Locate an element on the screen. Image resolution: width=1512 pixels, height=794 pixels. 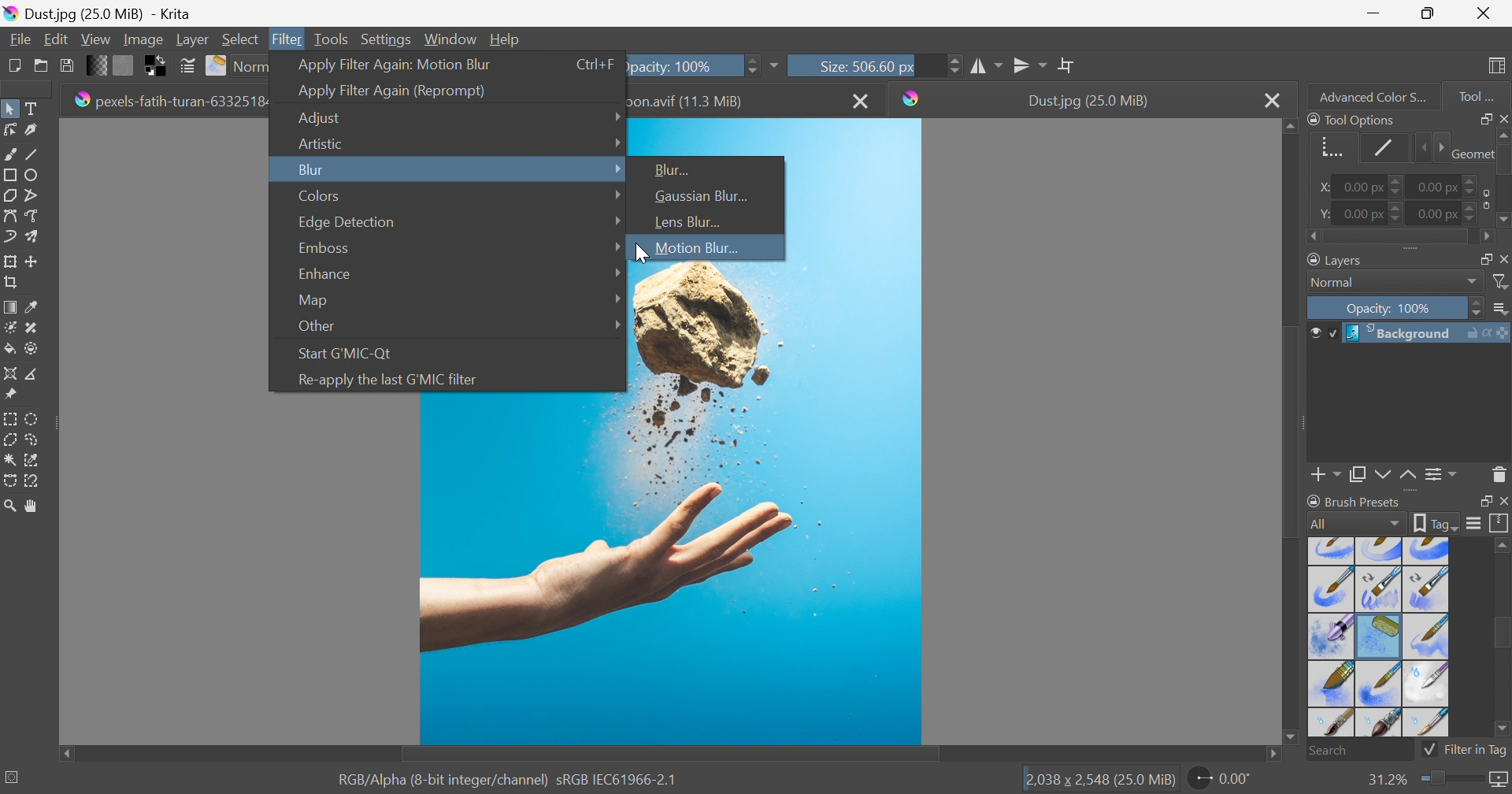
Gaussian Blur... is located at coordinates (703, 196).